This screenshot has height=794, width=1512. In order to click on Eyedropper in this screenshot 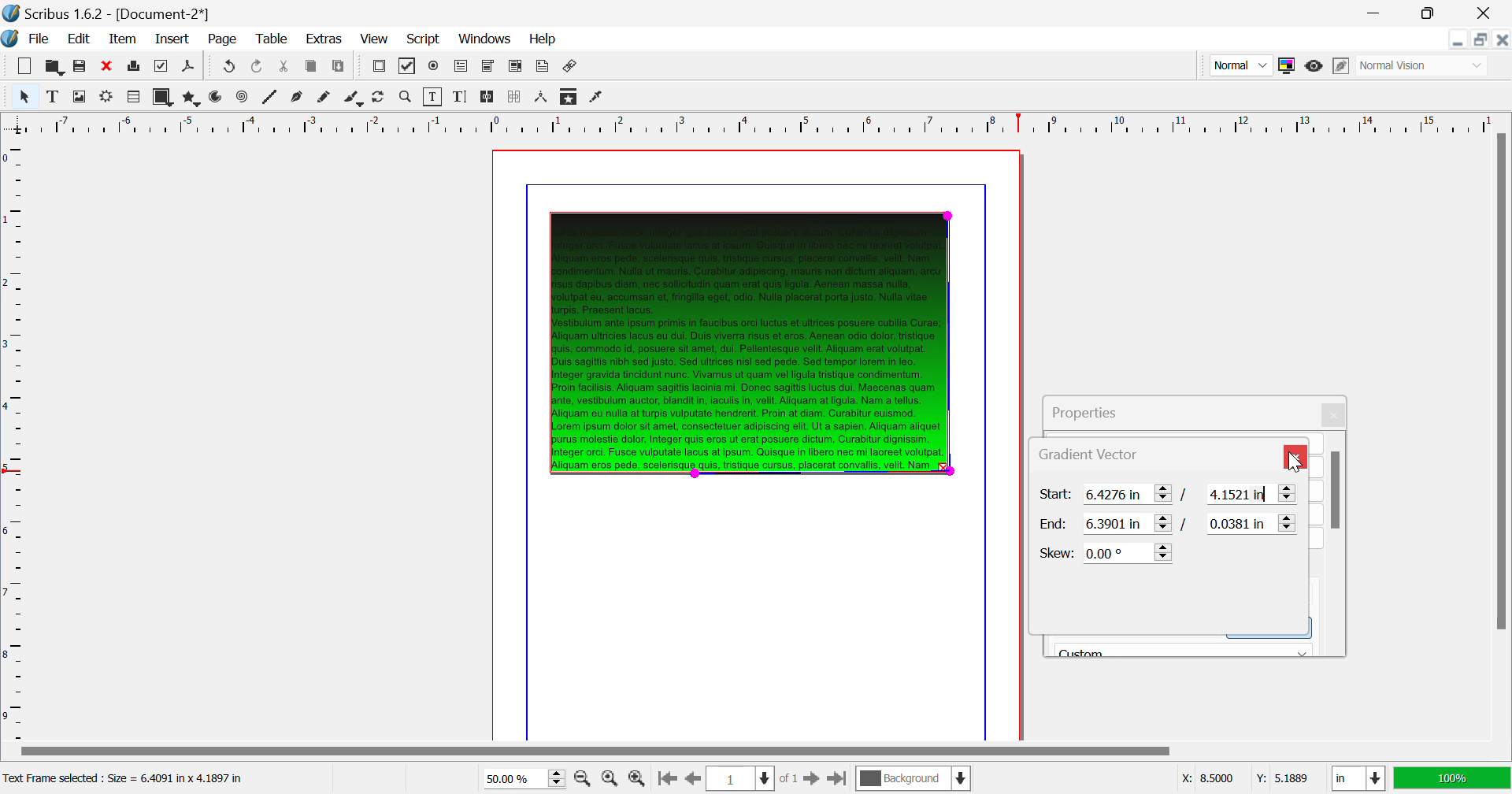, I will do `click(597, 98)`.